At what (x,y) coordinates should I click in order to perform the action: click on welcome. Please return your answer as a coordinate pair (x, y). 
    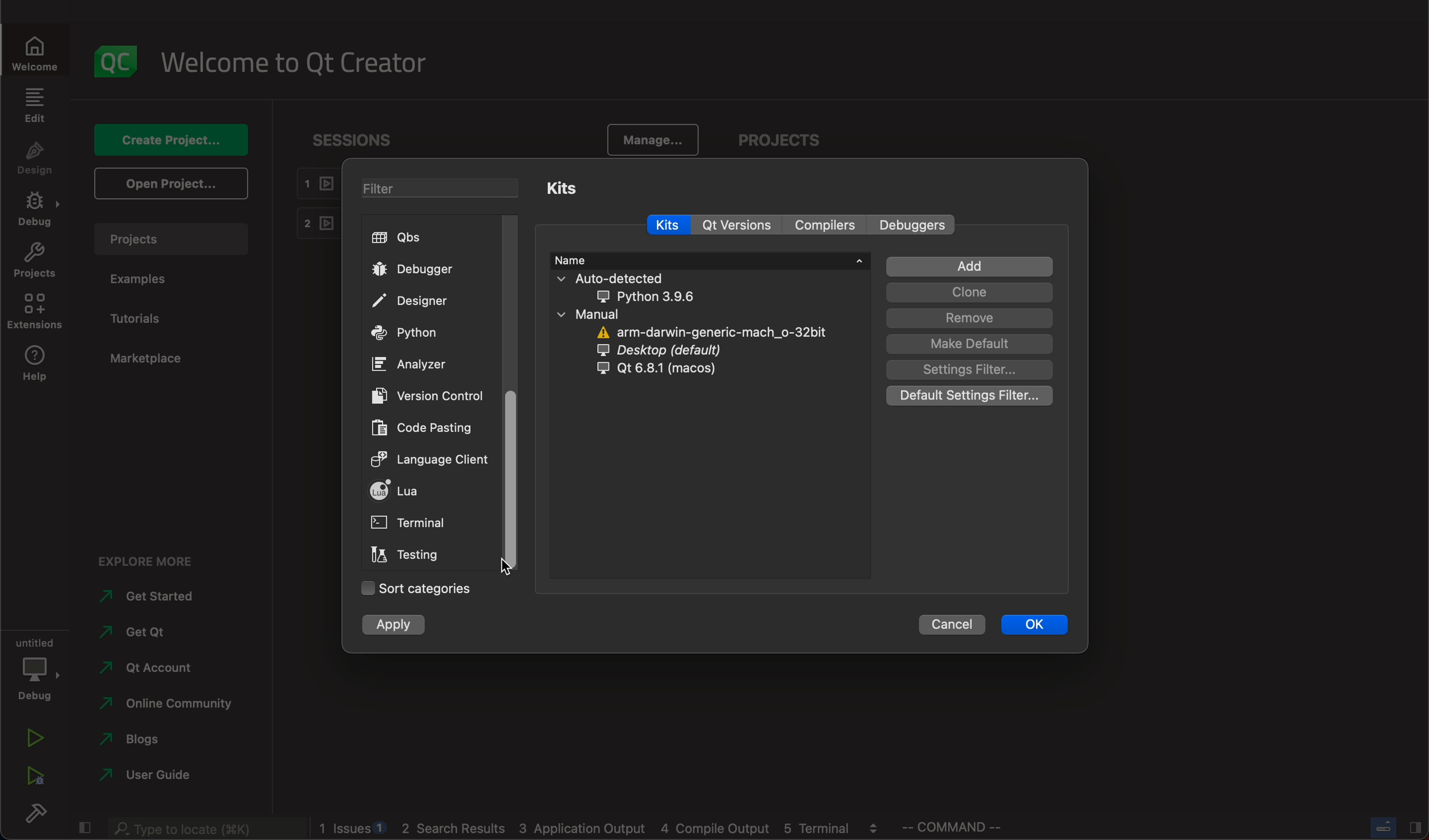
    Looking at the image, I should click on (35, 50).